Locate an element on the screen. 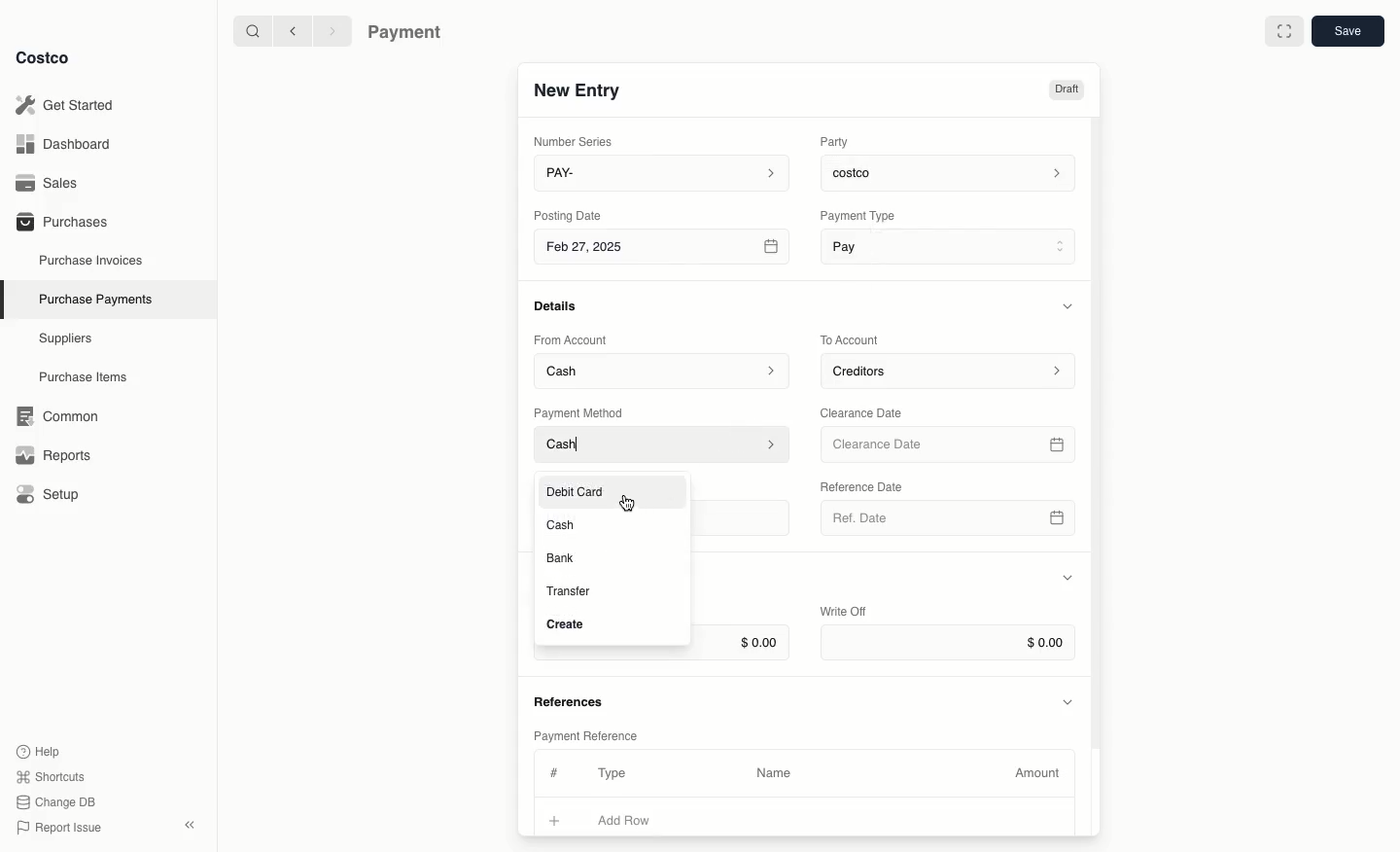  Shortcuts is located at coordinates (50, 775).